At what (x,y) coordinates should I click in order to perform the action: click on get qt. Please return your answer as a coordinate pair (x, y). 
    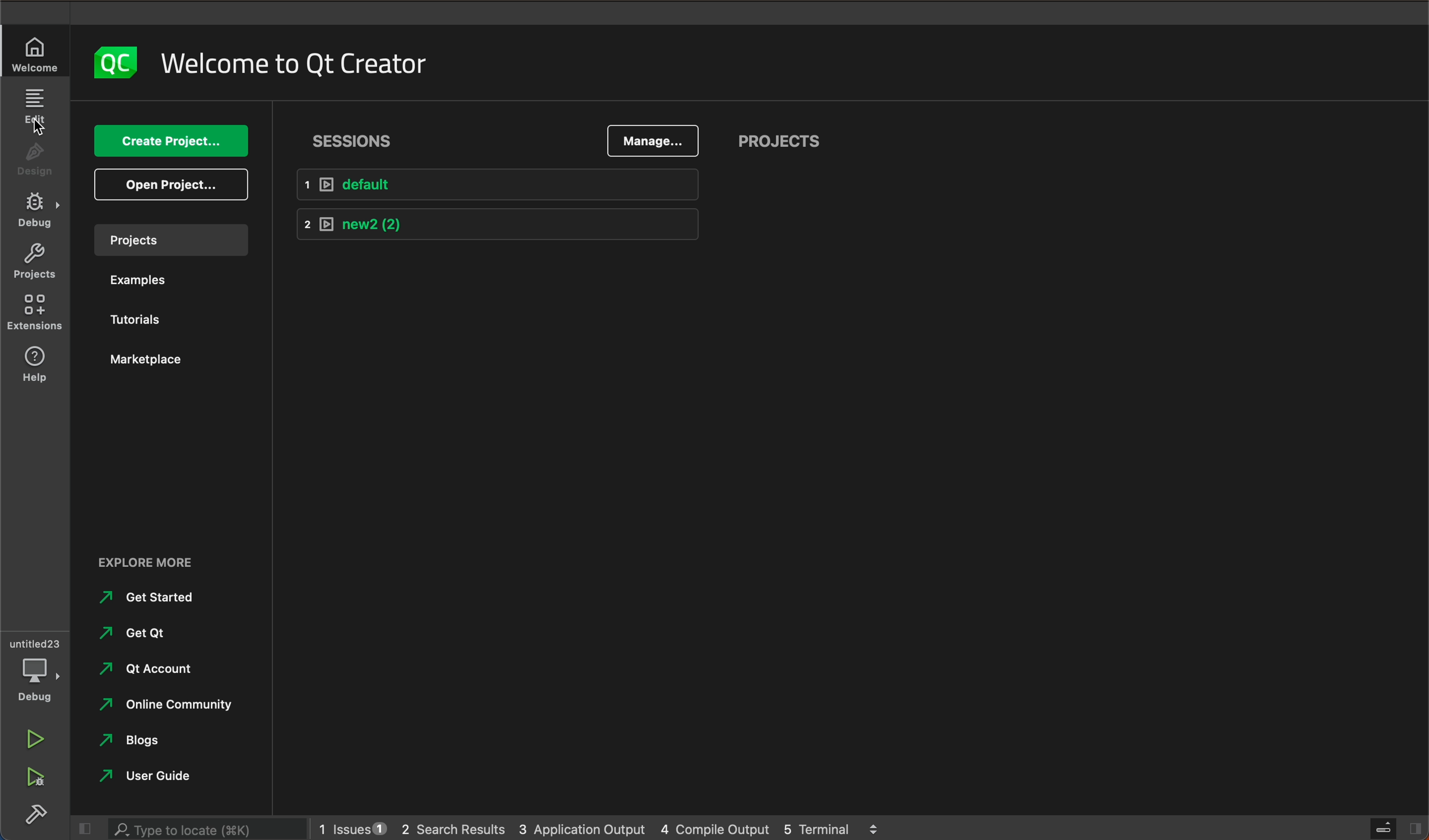
    Looking at the image, I should click on (132, 634).